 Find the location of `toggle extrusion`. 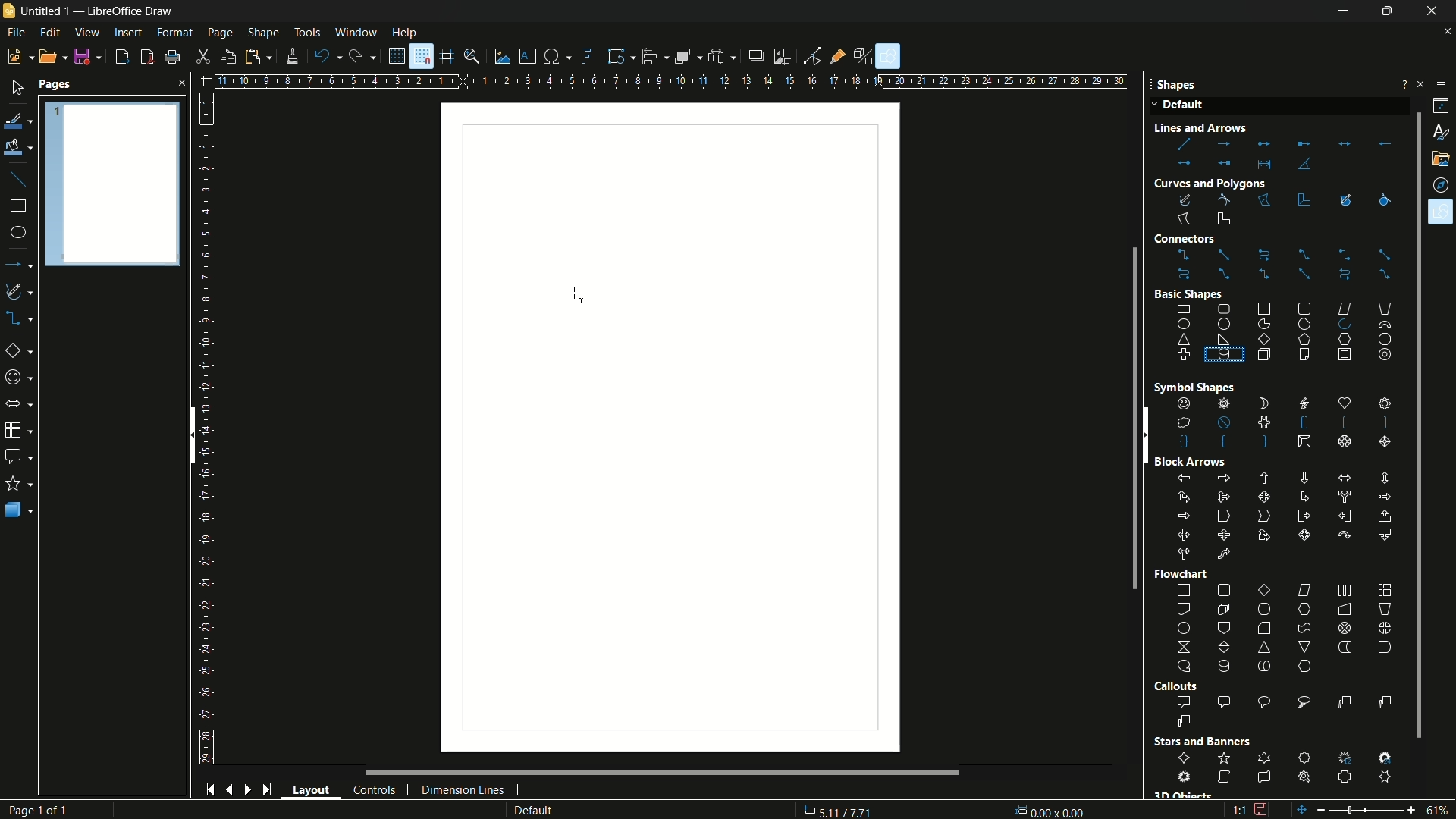

toggle extrusion is located at coordinates (864, 57).